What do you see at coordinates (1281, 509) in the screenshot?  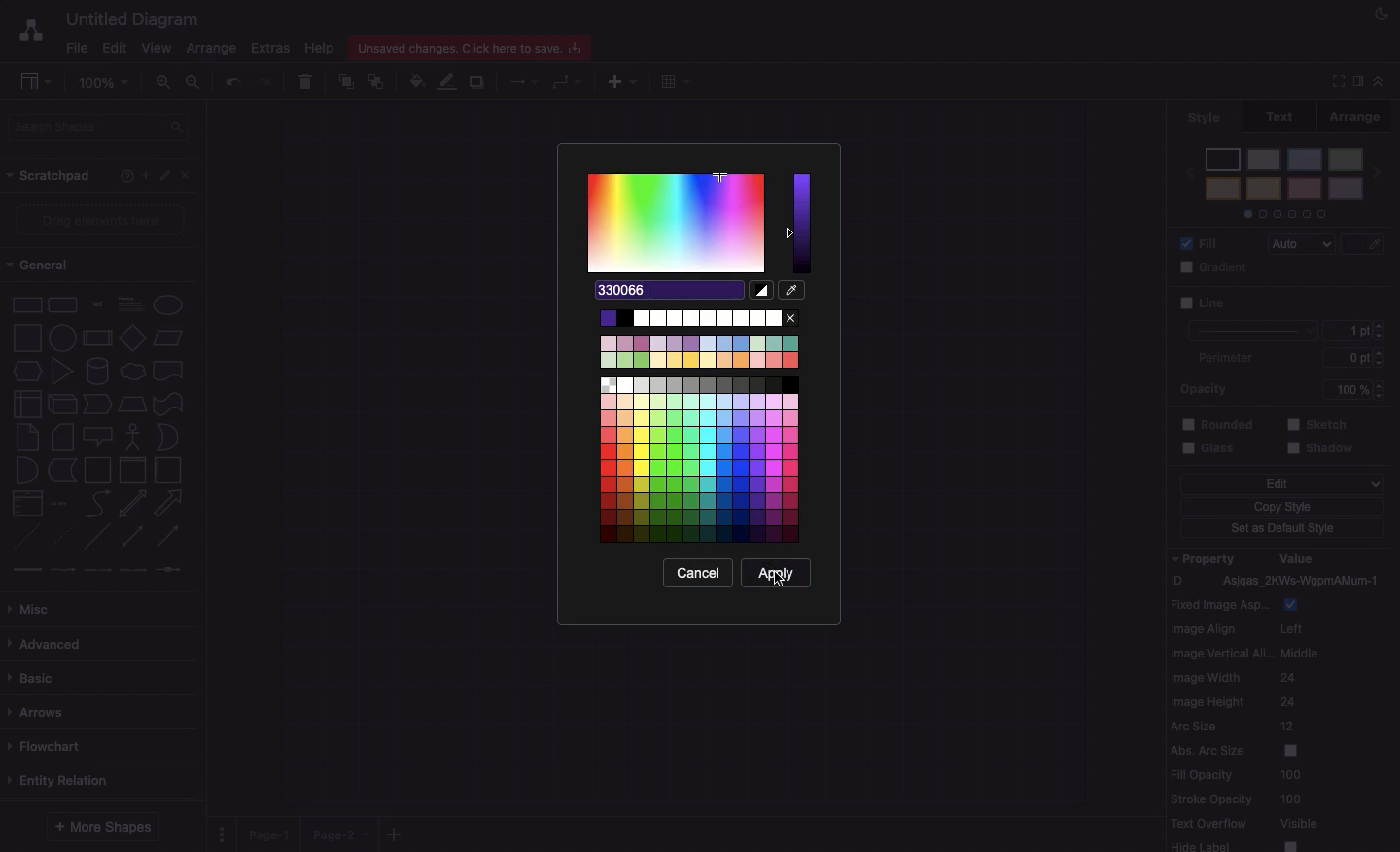 I see `Copy style` at bounding box center [1281, 509].